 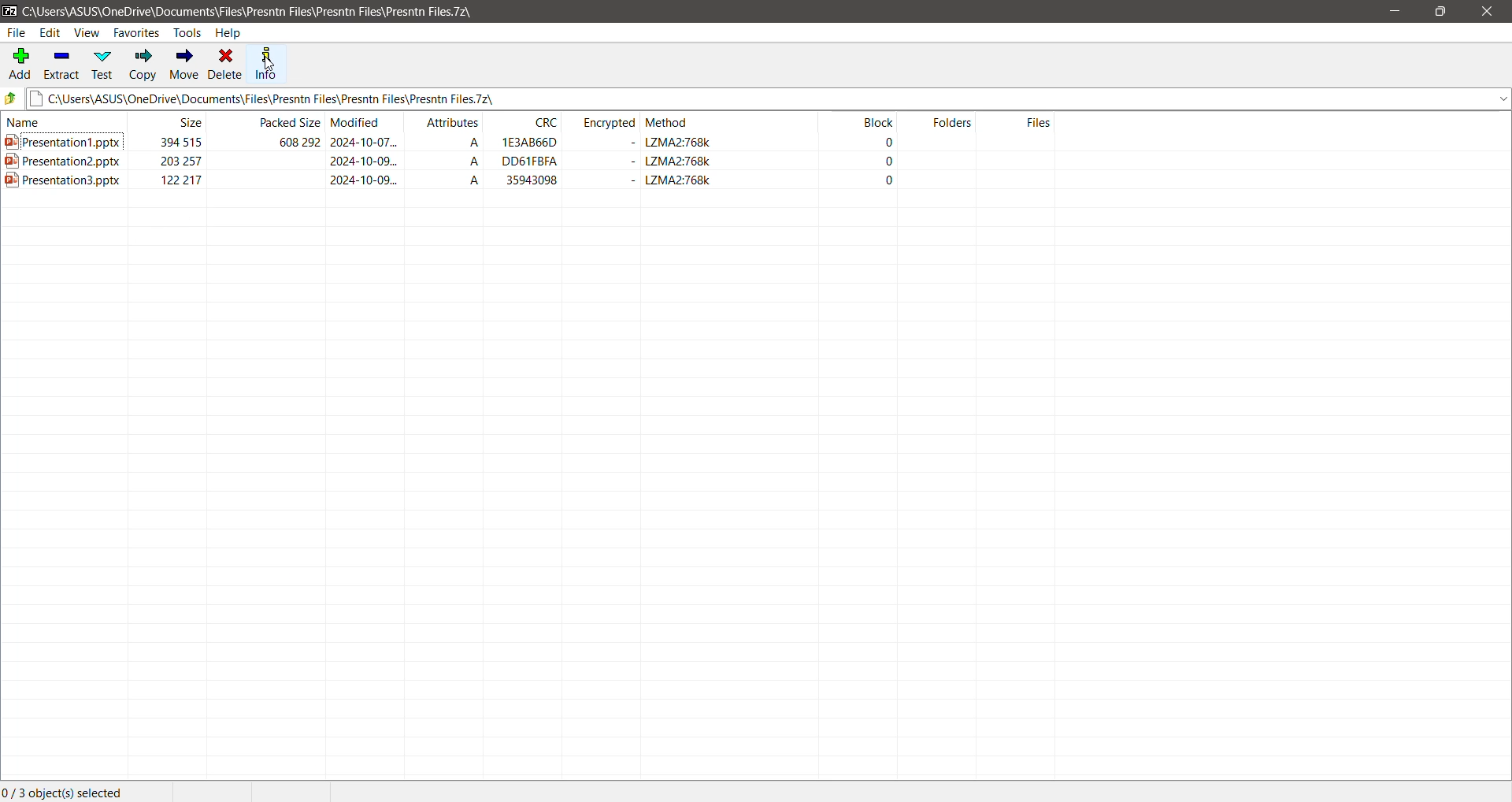 What do you see at coordinates (62, 66) in the screenshot?
I see `Extract` at bounding box center [62, 66].